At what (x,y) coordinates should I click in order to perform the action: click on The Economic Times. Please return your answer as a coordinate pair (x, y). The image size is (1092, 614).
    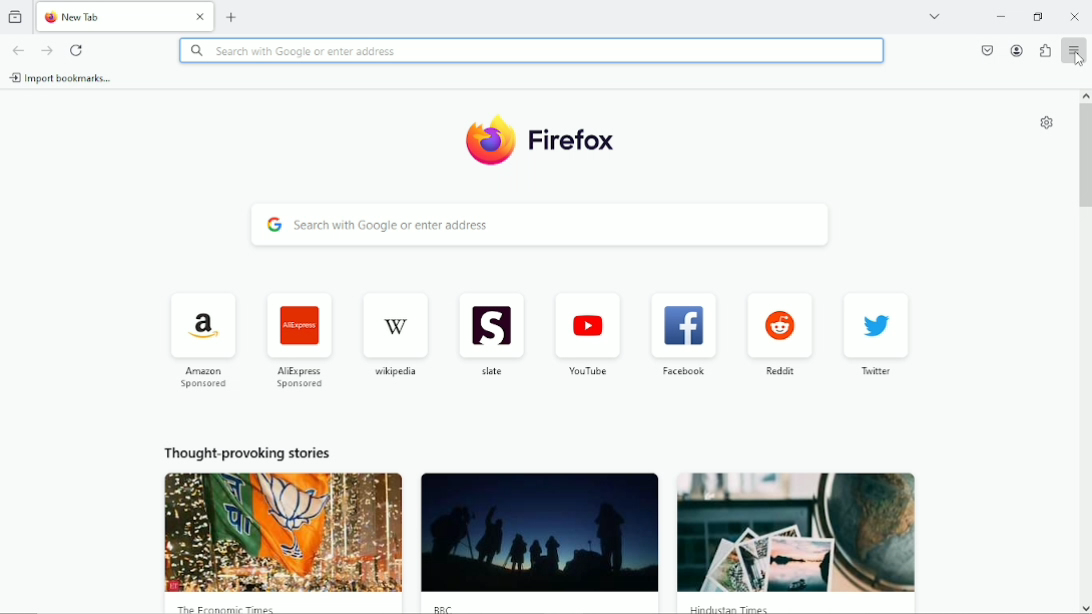
    Looking at the image, I should click on (232, 608).